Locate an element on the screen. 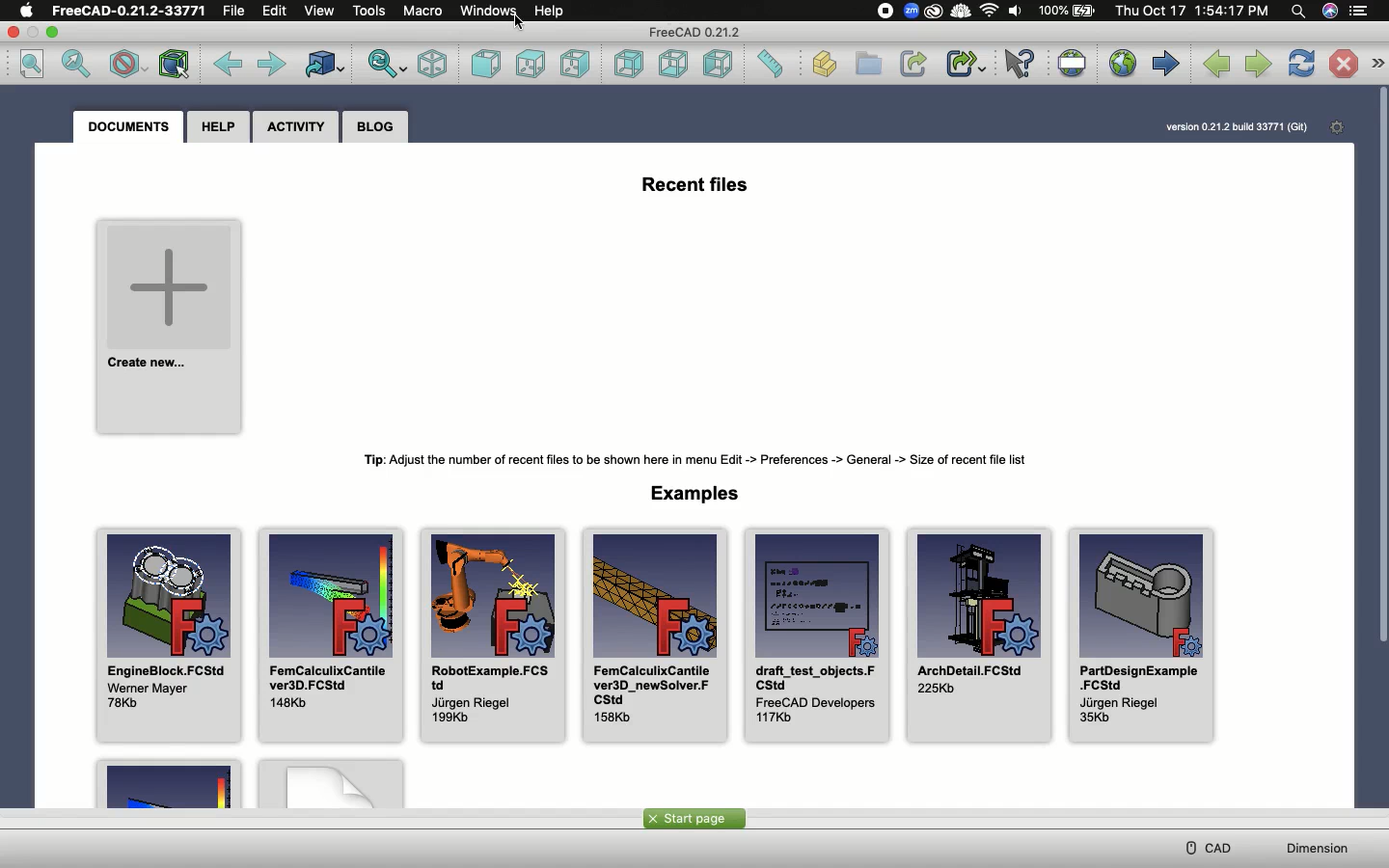 This screenshot has height=868, width=1389. ColdTurkey extension is located at coordinates (959, 13).